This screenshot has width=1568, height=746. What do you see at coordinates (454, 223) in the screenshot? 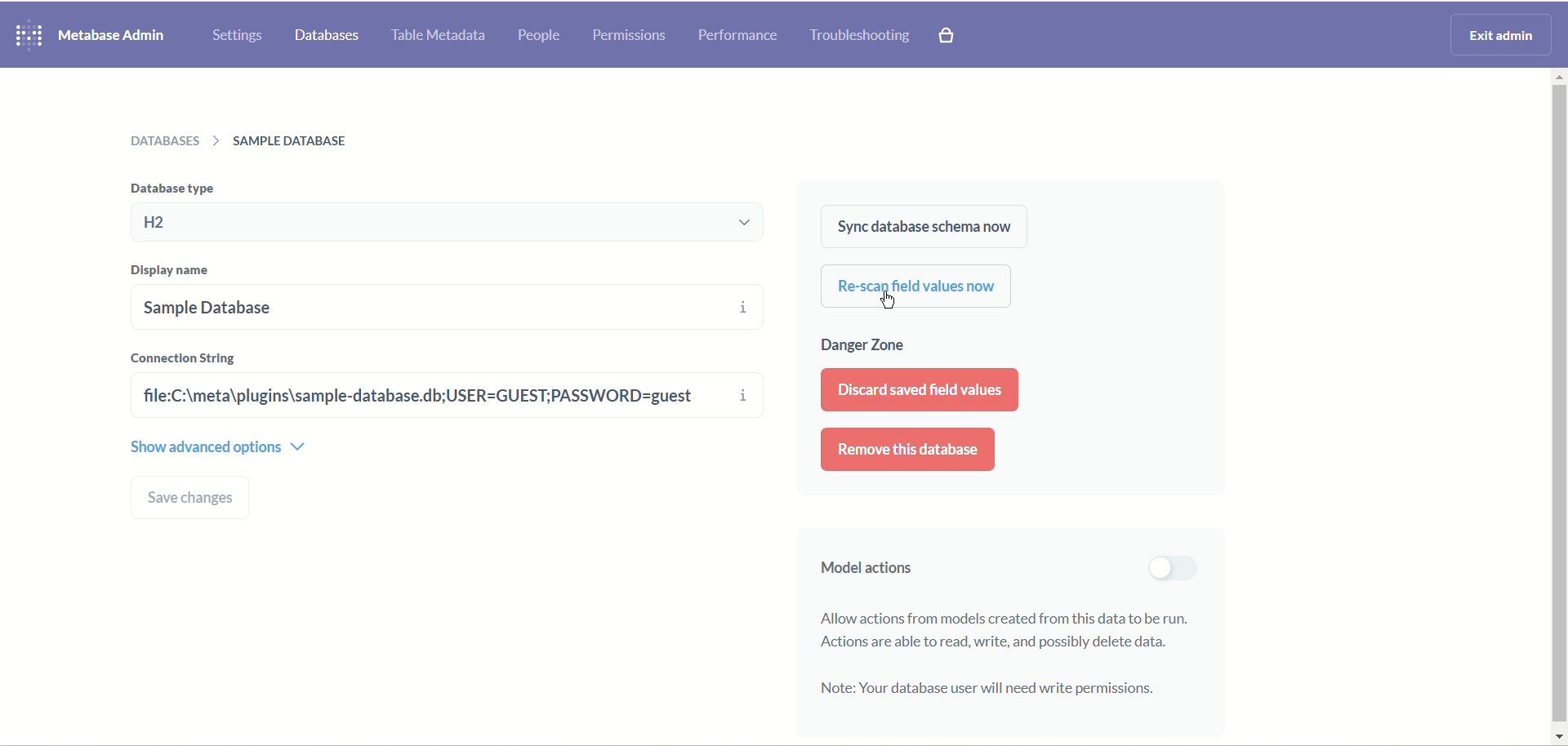
I see `database type` at bounding box center [454, 223].